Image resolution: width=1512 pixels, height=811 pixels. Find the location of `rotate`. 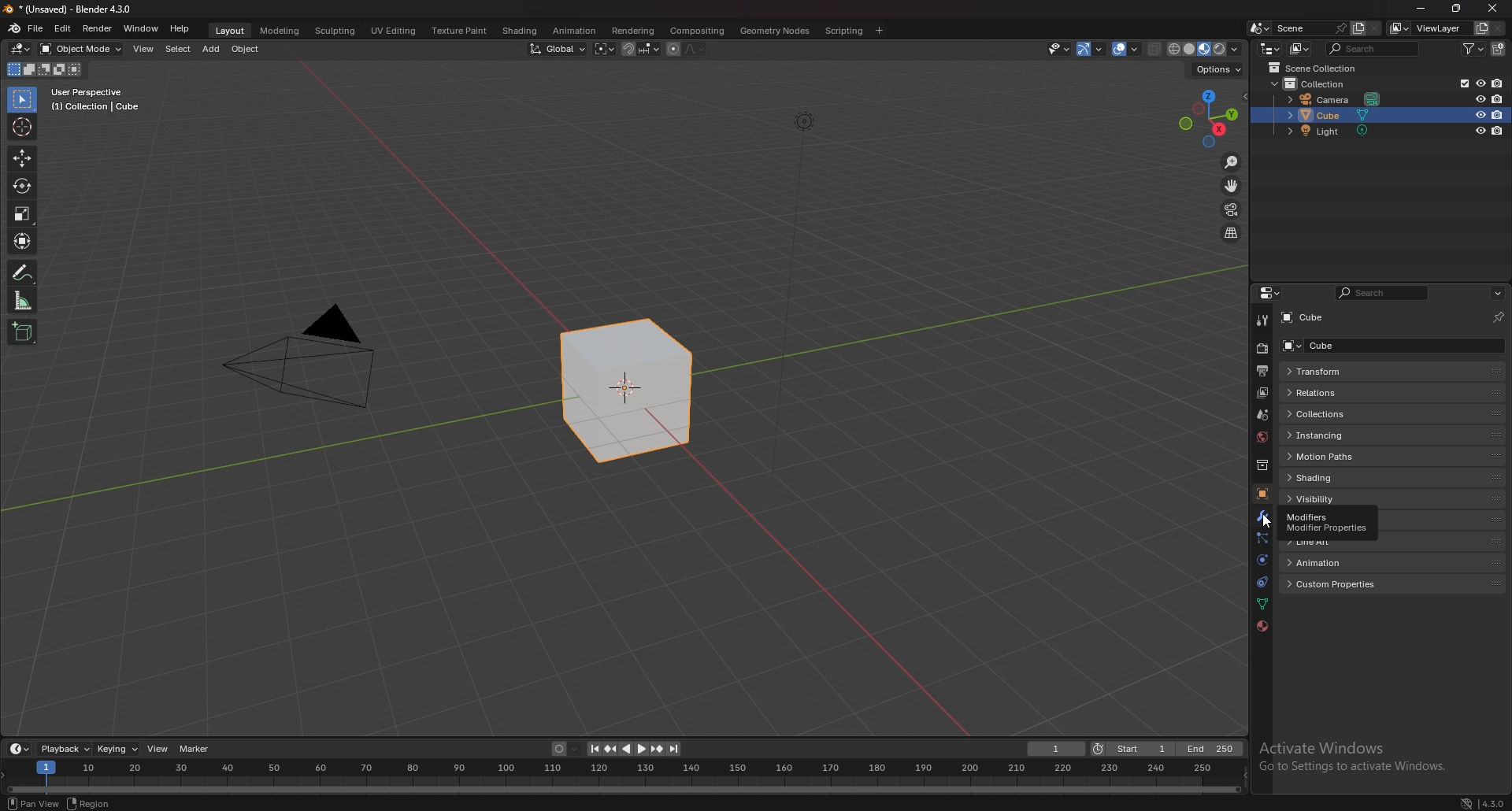

rotate is located at coordinates (21, 186).